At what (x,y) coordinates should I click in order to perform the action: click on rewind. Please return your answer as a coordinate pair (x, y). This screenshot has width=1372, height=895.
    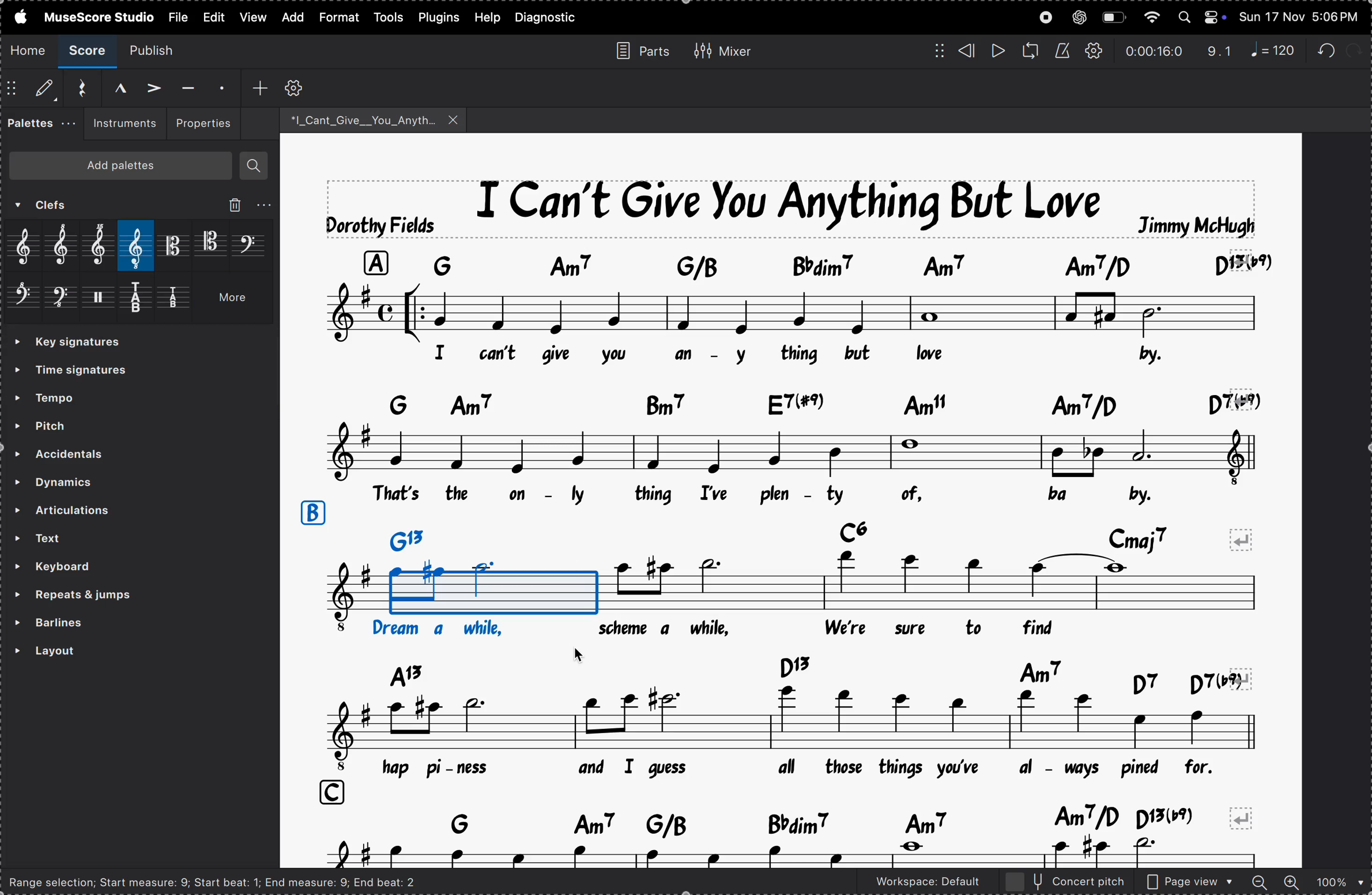
    Looking at the image, I should click on (967, 51).